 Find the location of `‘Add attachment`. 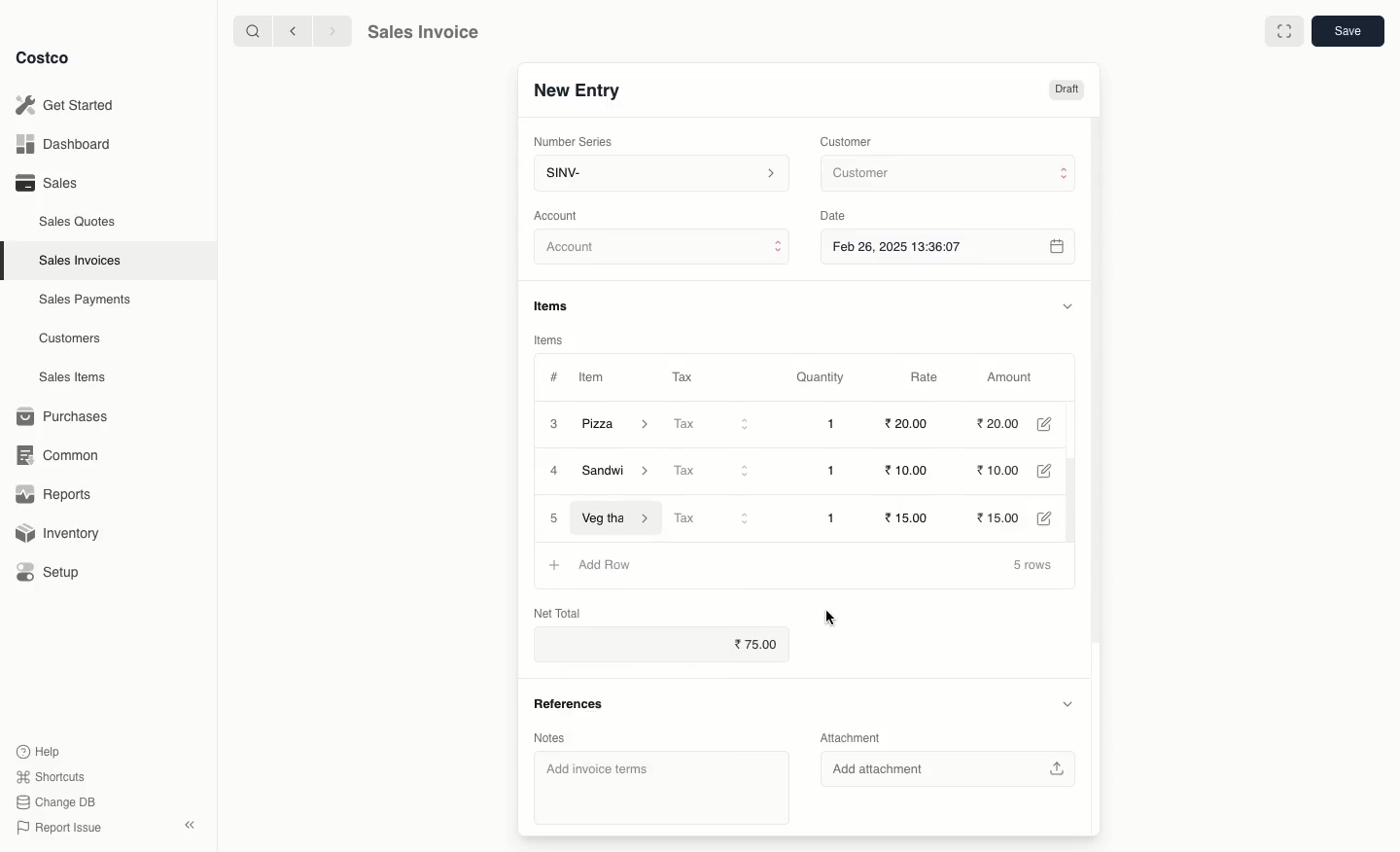

‘Add attachment is located at coordinates (954, 770).